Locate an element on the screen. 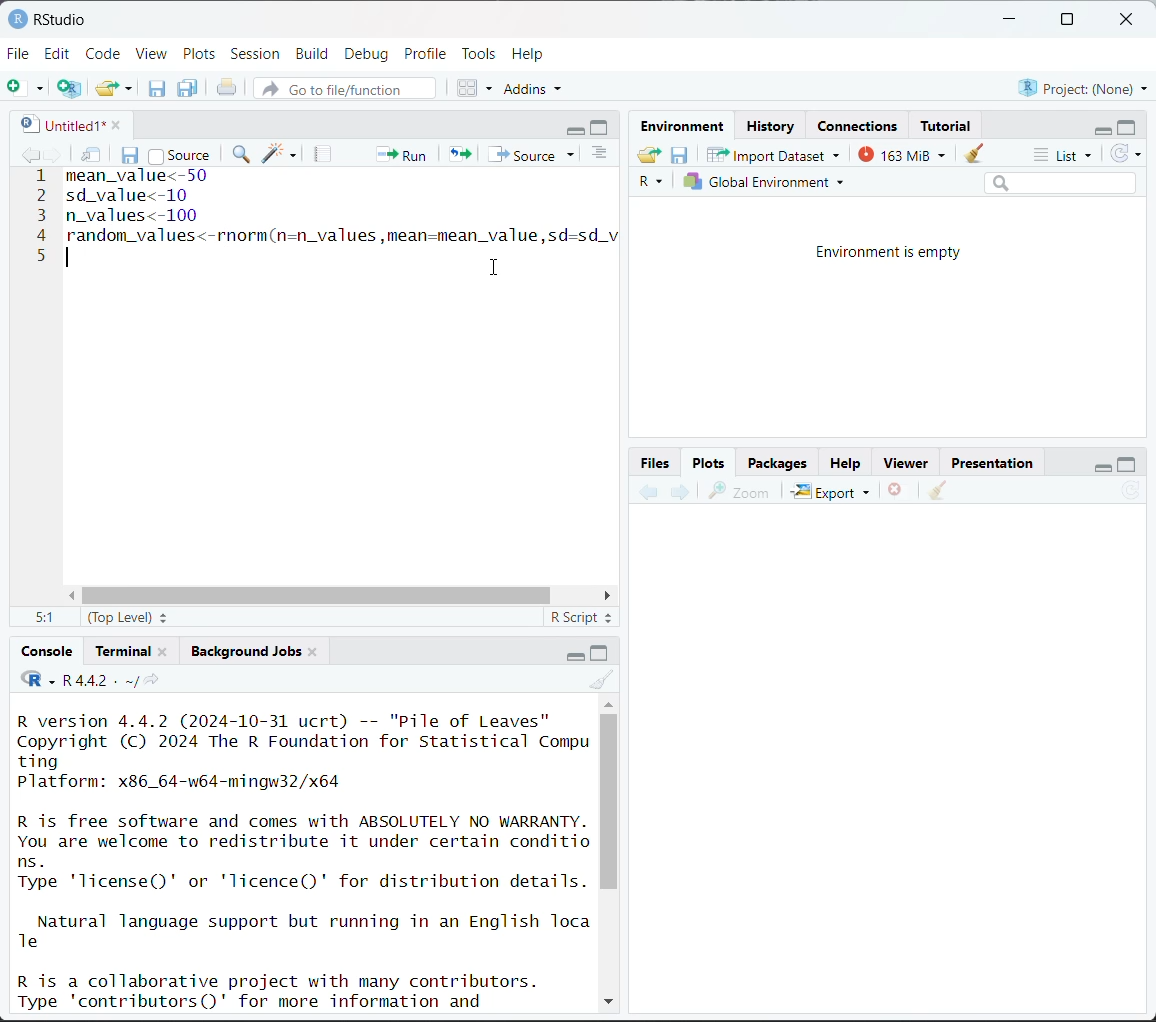 Image resolution: width=1156 pixels, height=1022 pixels. clear objects from workspace is located at coordinates (969, 150).